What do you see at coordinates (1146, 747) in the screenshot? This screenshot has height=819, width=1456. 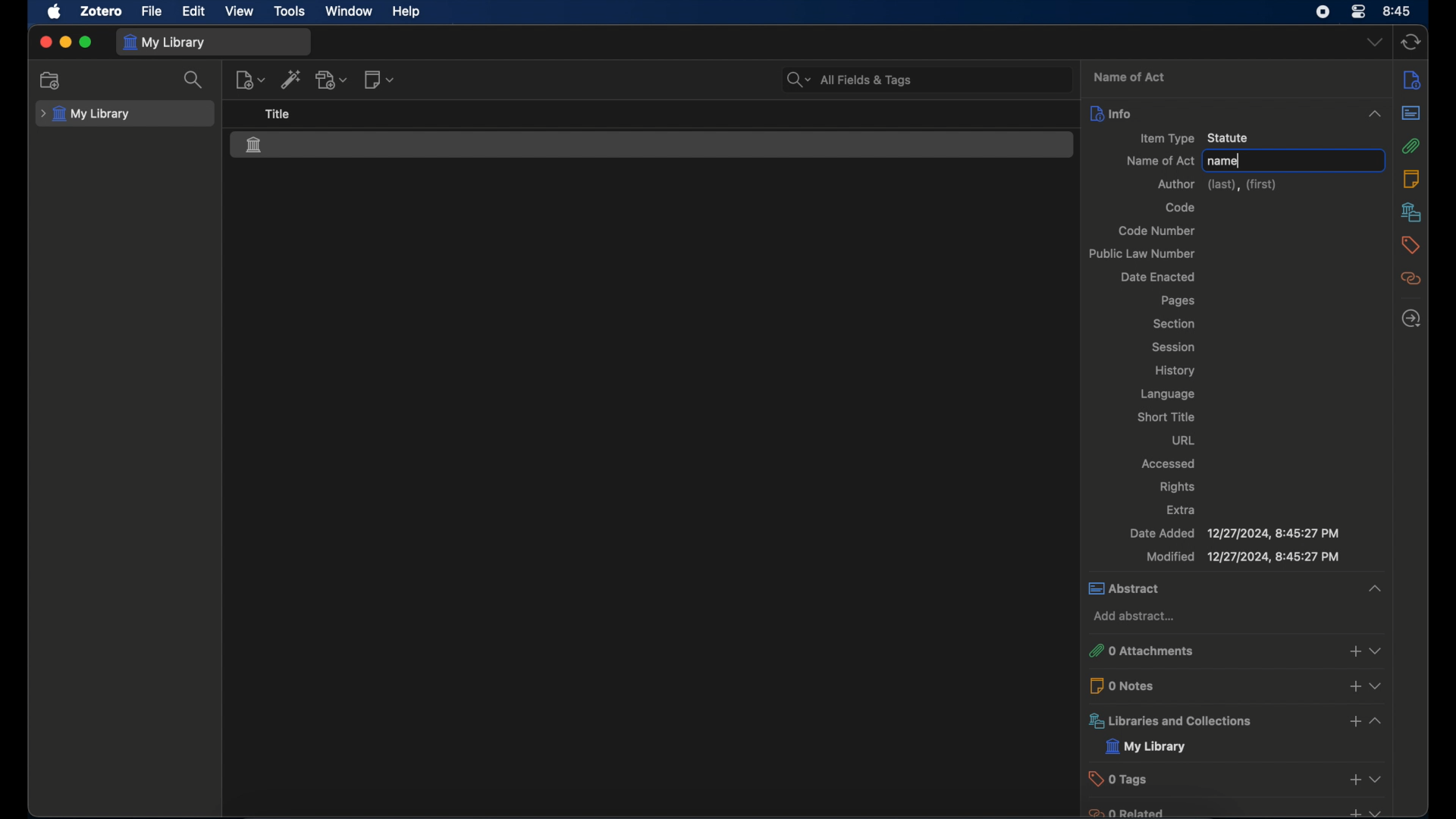 I see `my library` at bounding box center [1146, 747].